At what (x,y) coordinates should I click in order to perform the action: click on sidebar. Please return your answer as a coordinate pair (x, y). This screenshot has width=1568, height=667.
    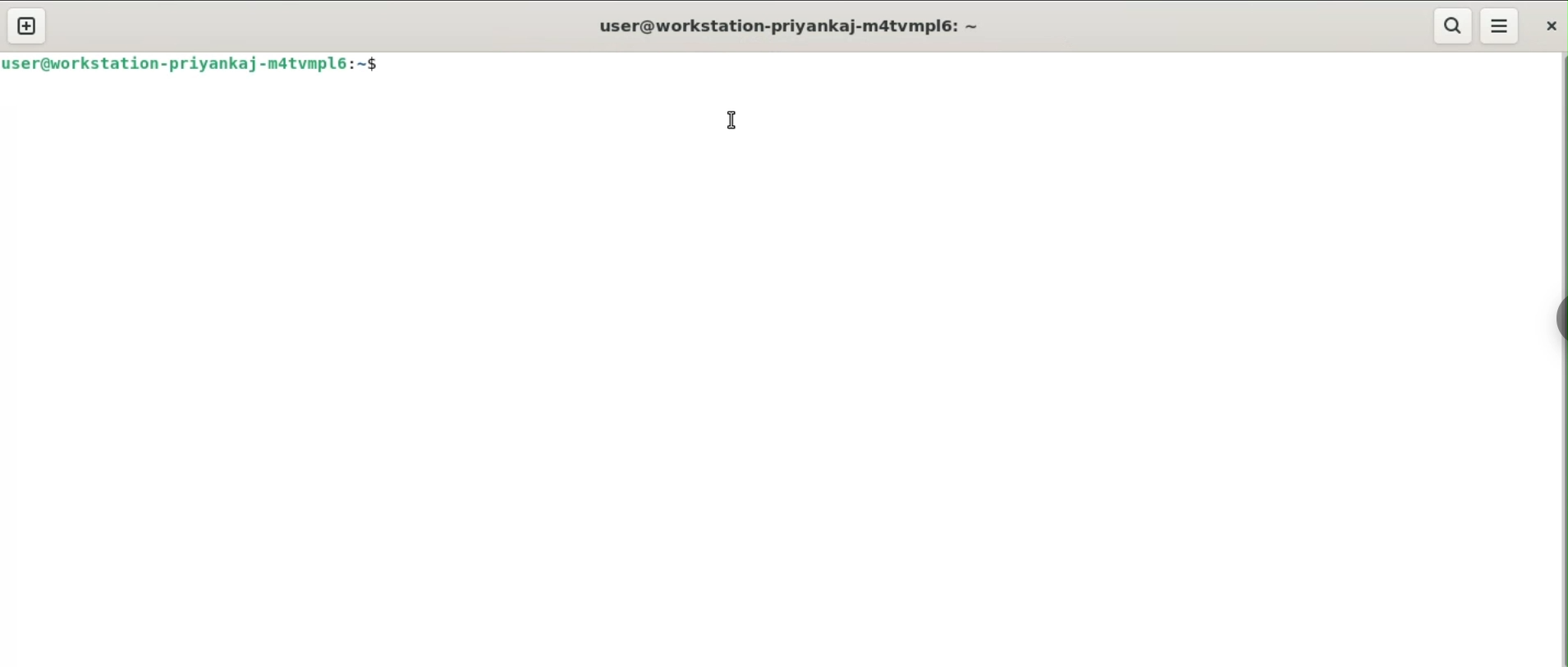
    Looking at the image, I should click on (1560, 320).